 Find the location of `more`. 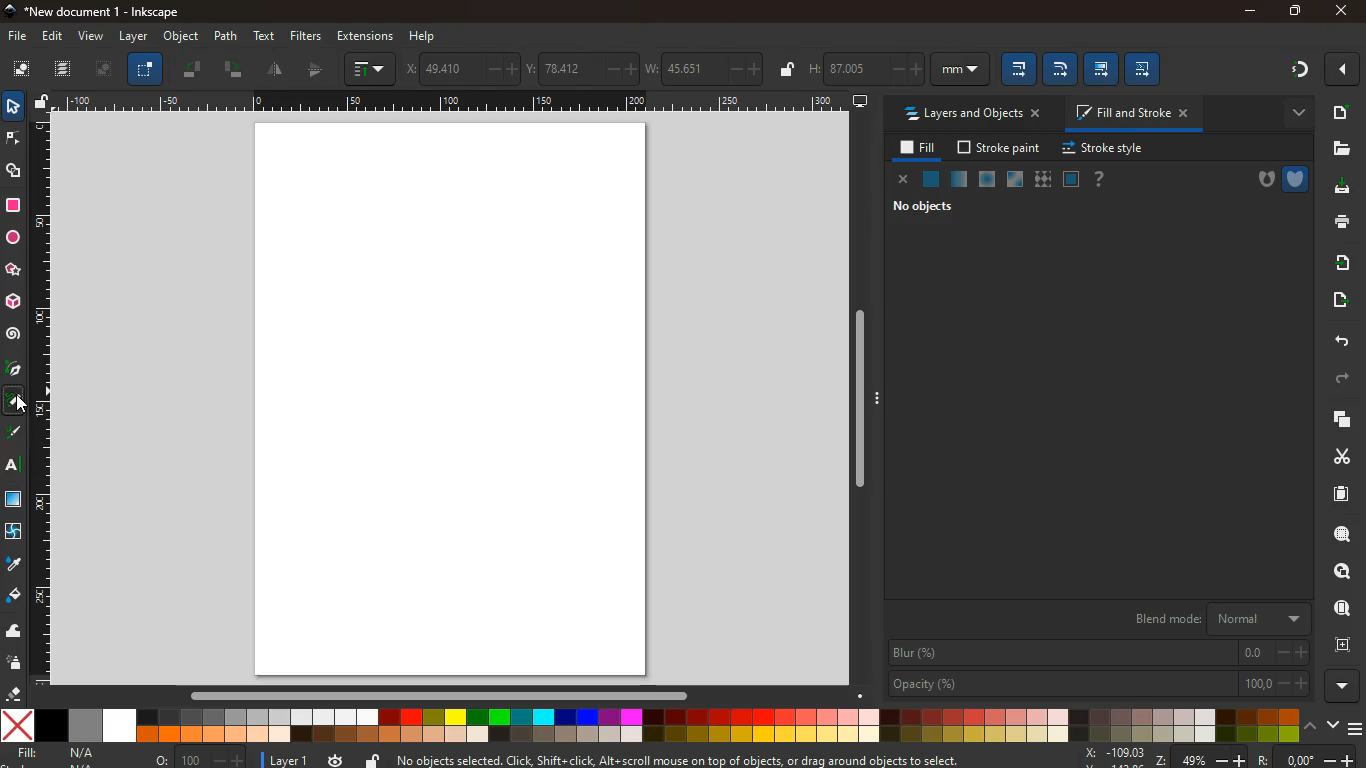

more is located at coordinates (1294, 114).